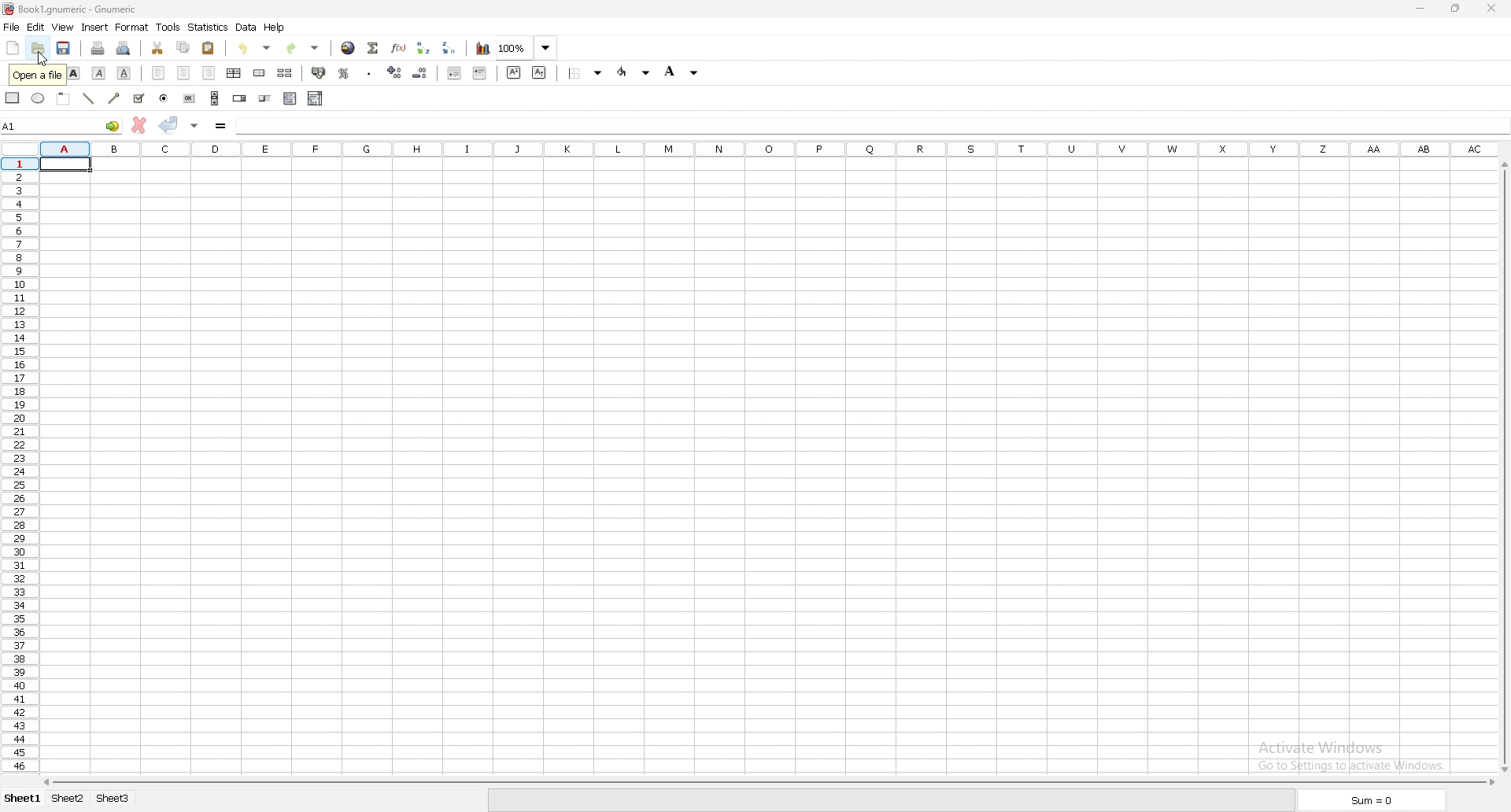 Image resolution: width=1511 pixels, height=812 pixels. Describe the element at coordinates (347, 48) in the screenshot. I see `hyperlink` at that location.